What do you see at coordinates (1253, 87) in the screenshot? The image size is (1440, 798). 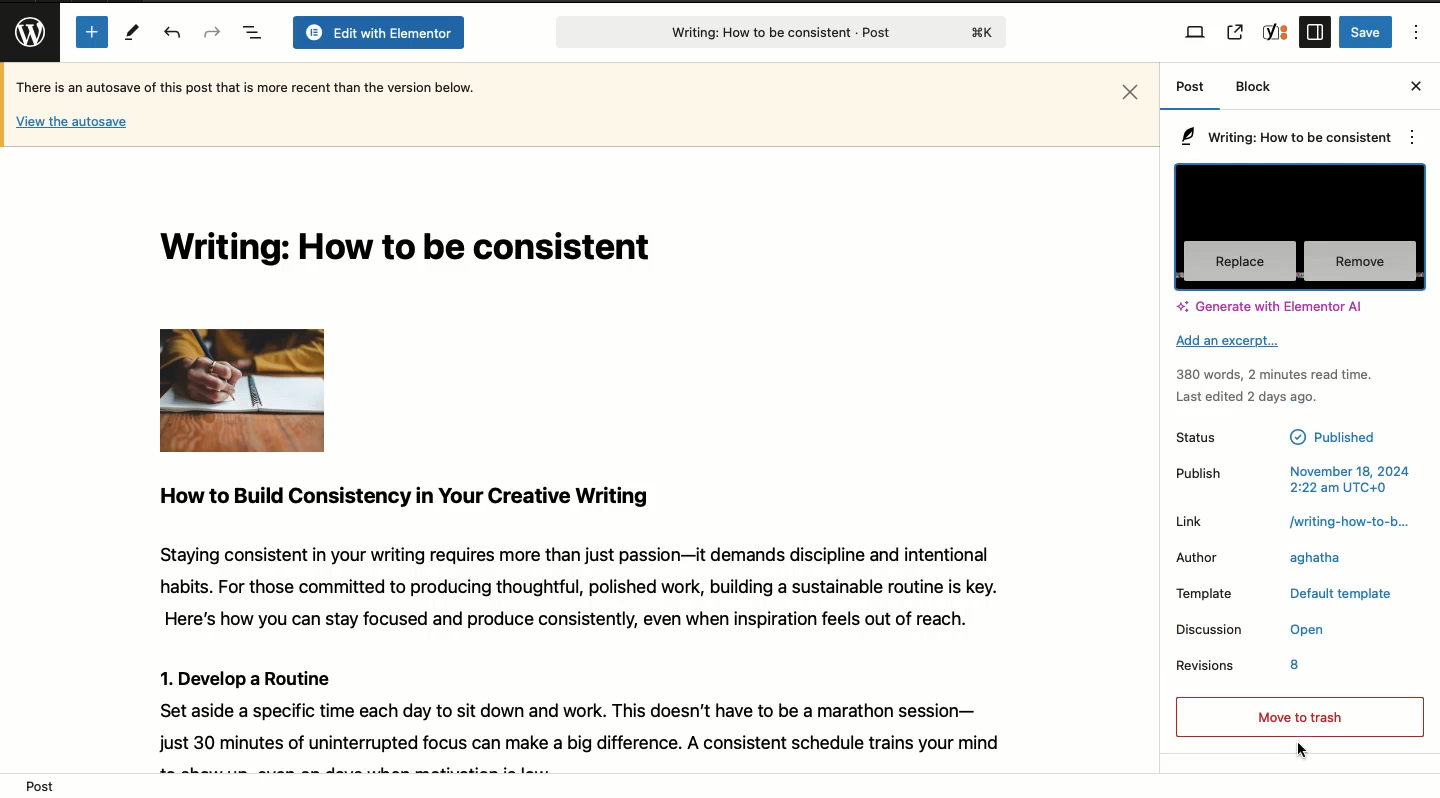 I see `Block` at bounding box center [1253, 87].